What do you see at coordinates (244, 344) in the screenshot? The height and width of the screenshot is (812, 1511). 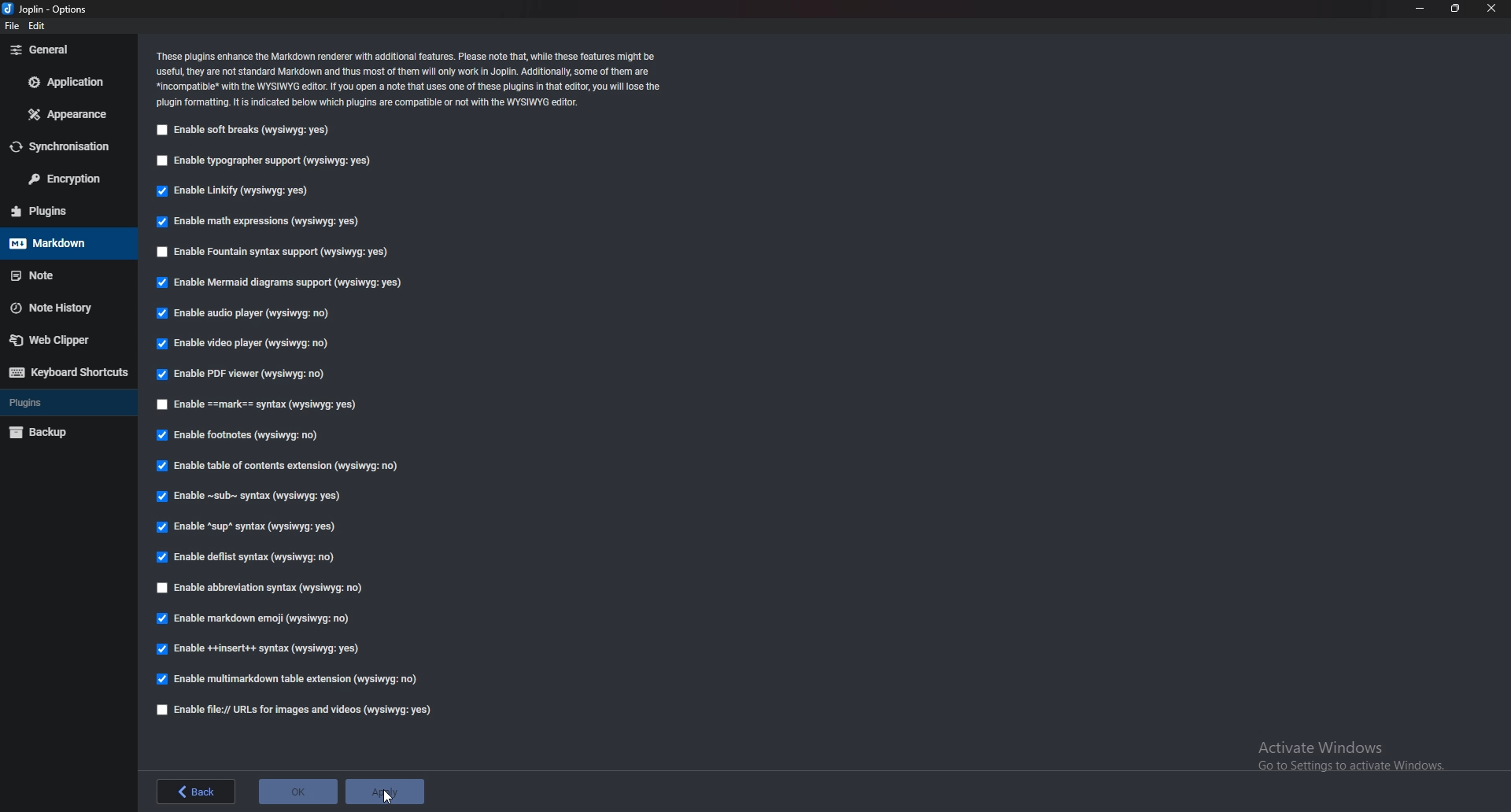 I see `Enable video player` at bounding box center [244, 344].